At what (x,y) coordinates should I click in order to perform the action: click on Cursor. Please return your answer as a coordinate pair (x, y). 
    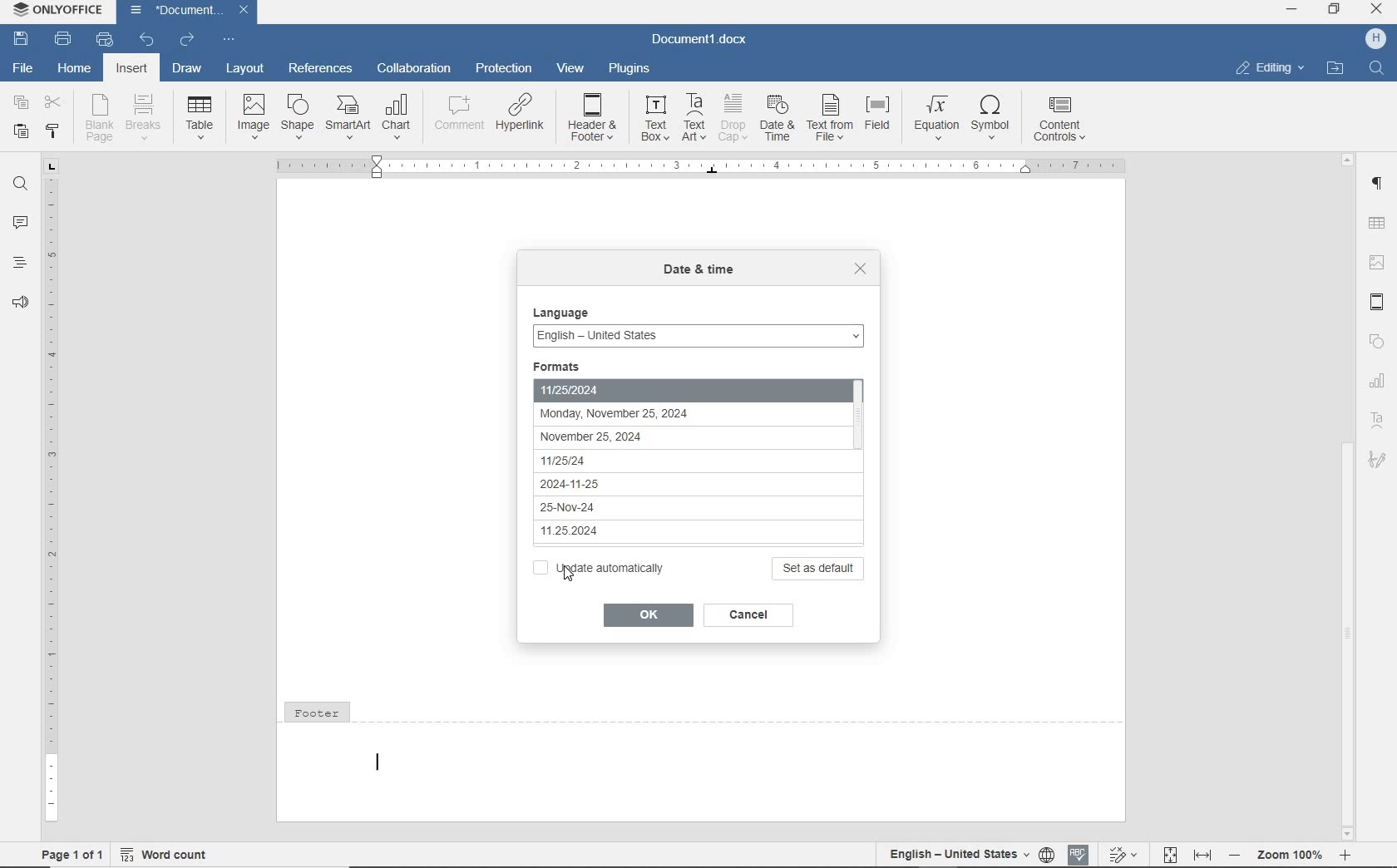
    Looking at the image, I should click on (558, 574).